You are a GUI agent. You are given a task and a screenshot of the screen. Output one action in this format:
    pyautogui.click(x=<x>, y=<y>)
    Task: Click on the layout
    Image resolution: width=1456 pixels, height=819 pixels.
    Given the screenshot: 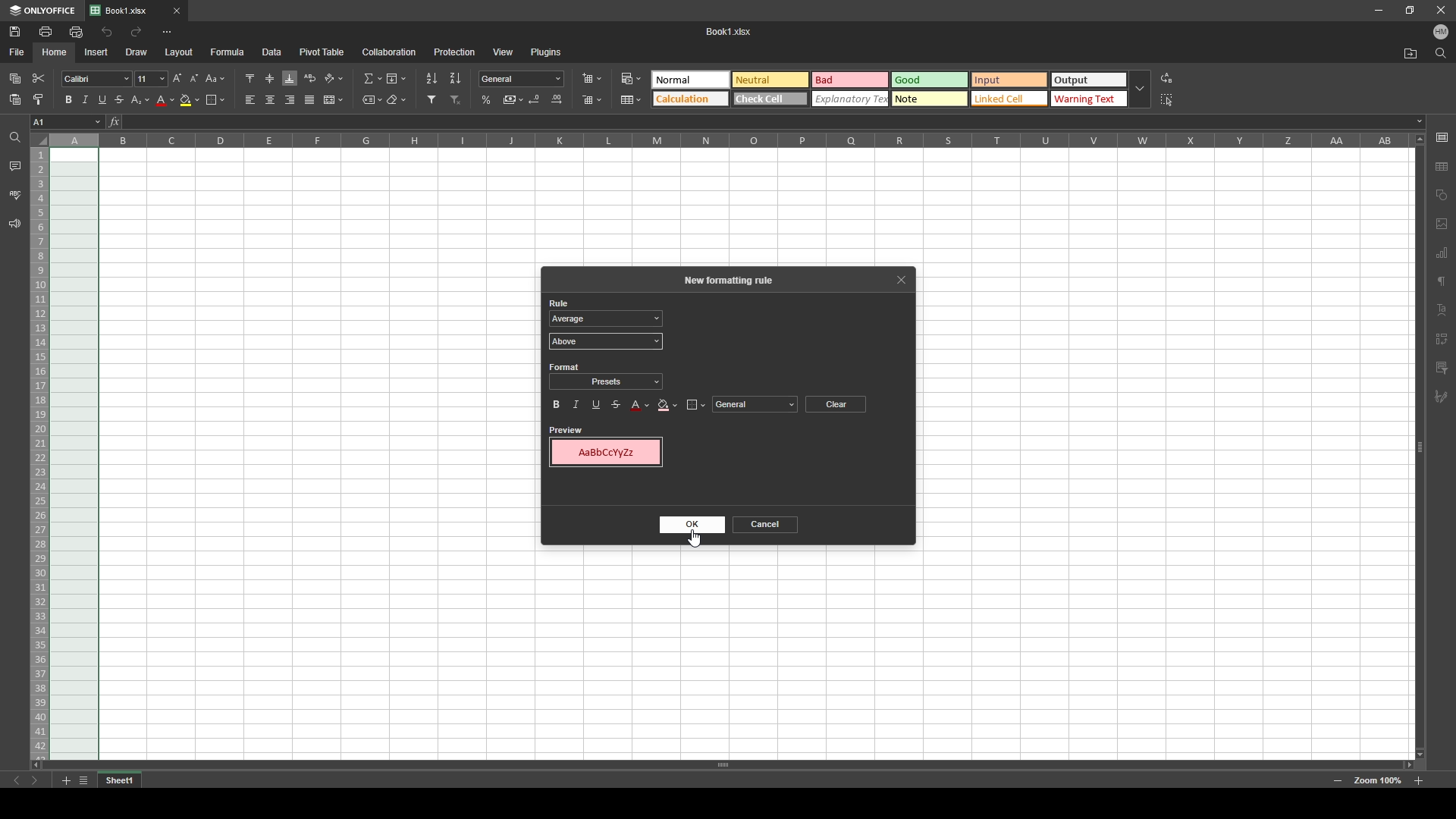 What is the action you would take?
    pyautogui.click(x=179, y=52)
    